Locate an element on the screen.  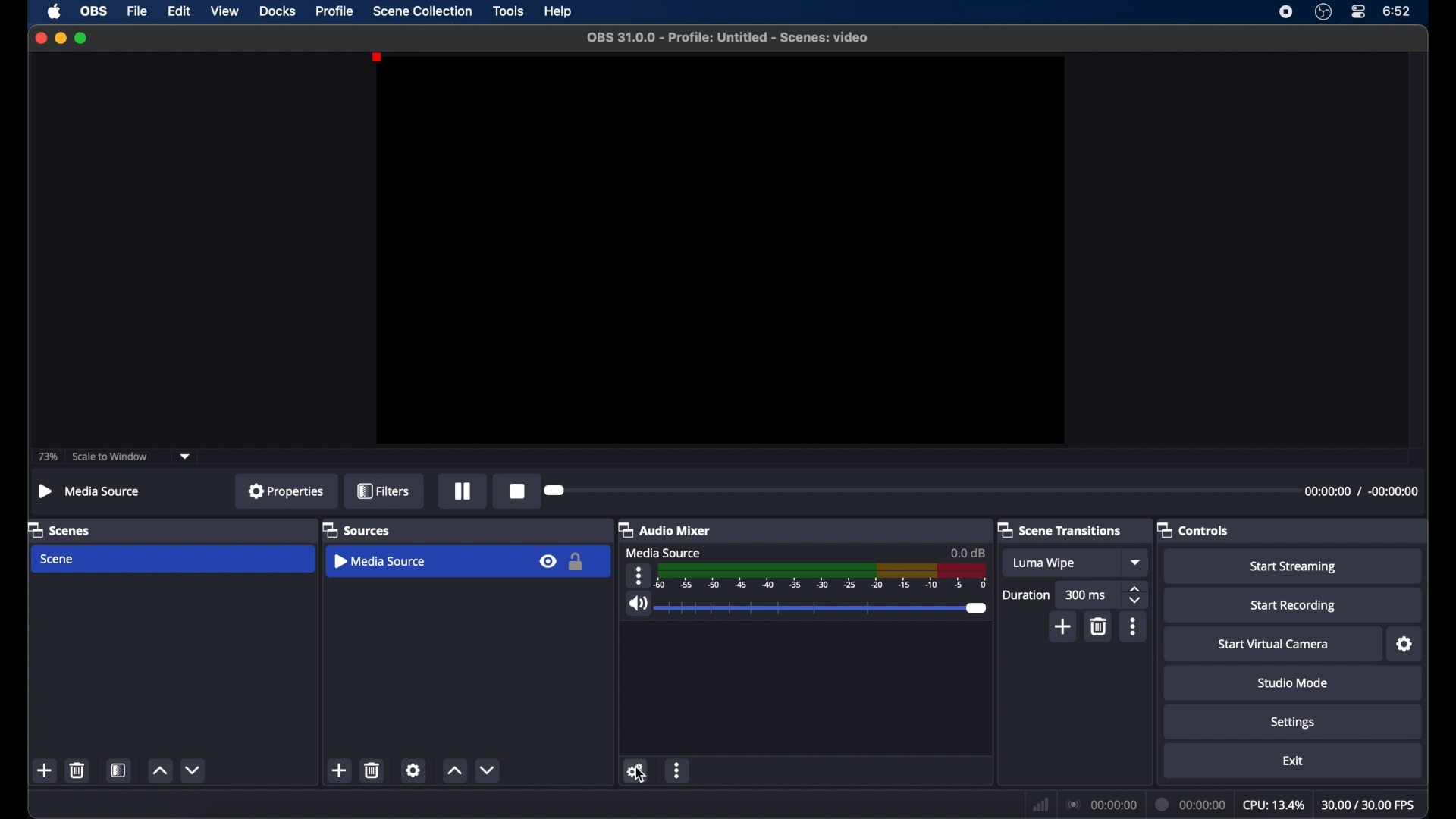
edit is located at coordinates (179, 11).